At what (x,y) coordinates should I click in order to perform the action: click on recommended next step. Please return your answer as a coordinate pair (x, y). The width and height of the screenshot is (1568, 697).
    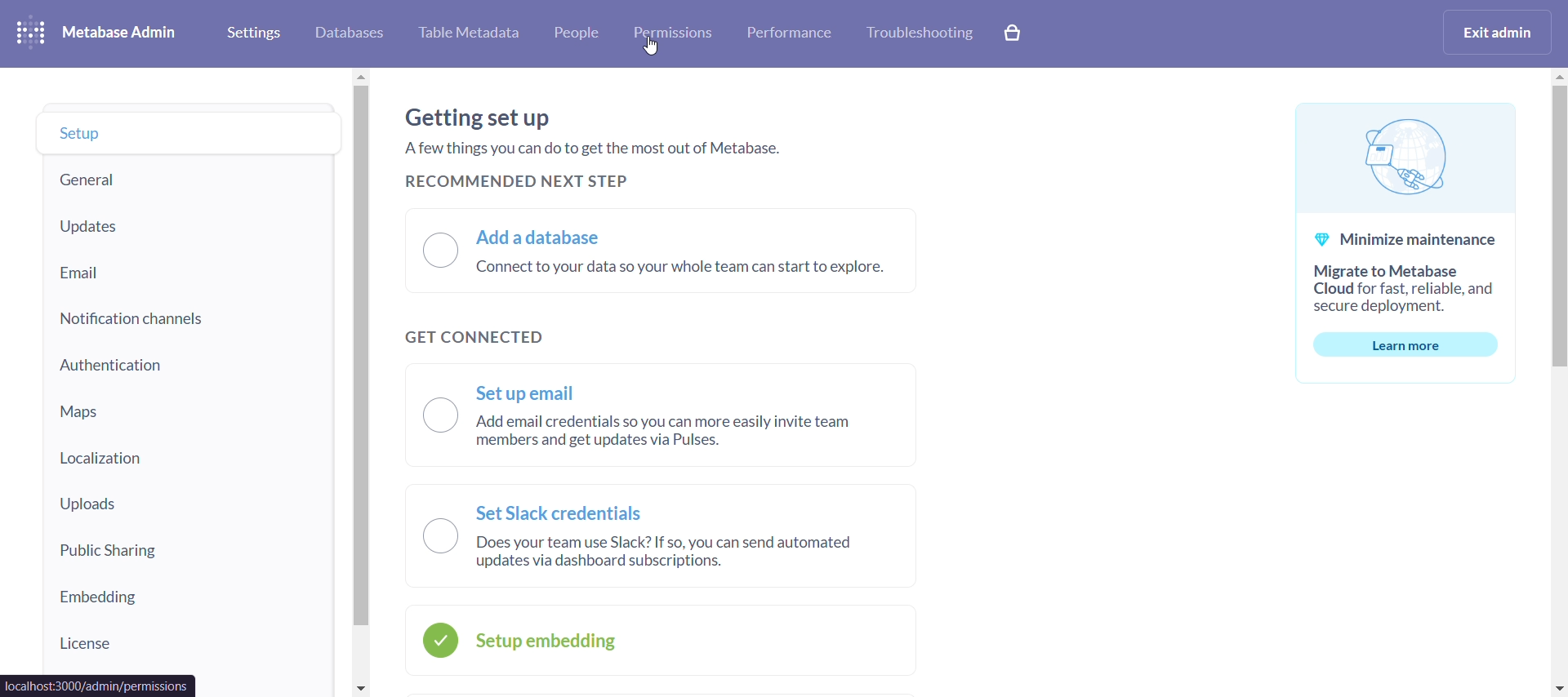
    Looking at the image, I should click on (520, 181).